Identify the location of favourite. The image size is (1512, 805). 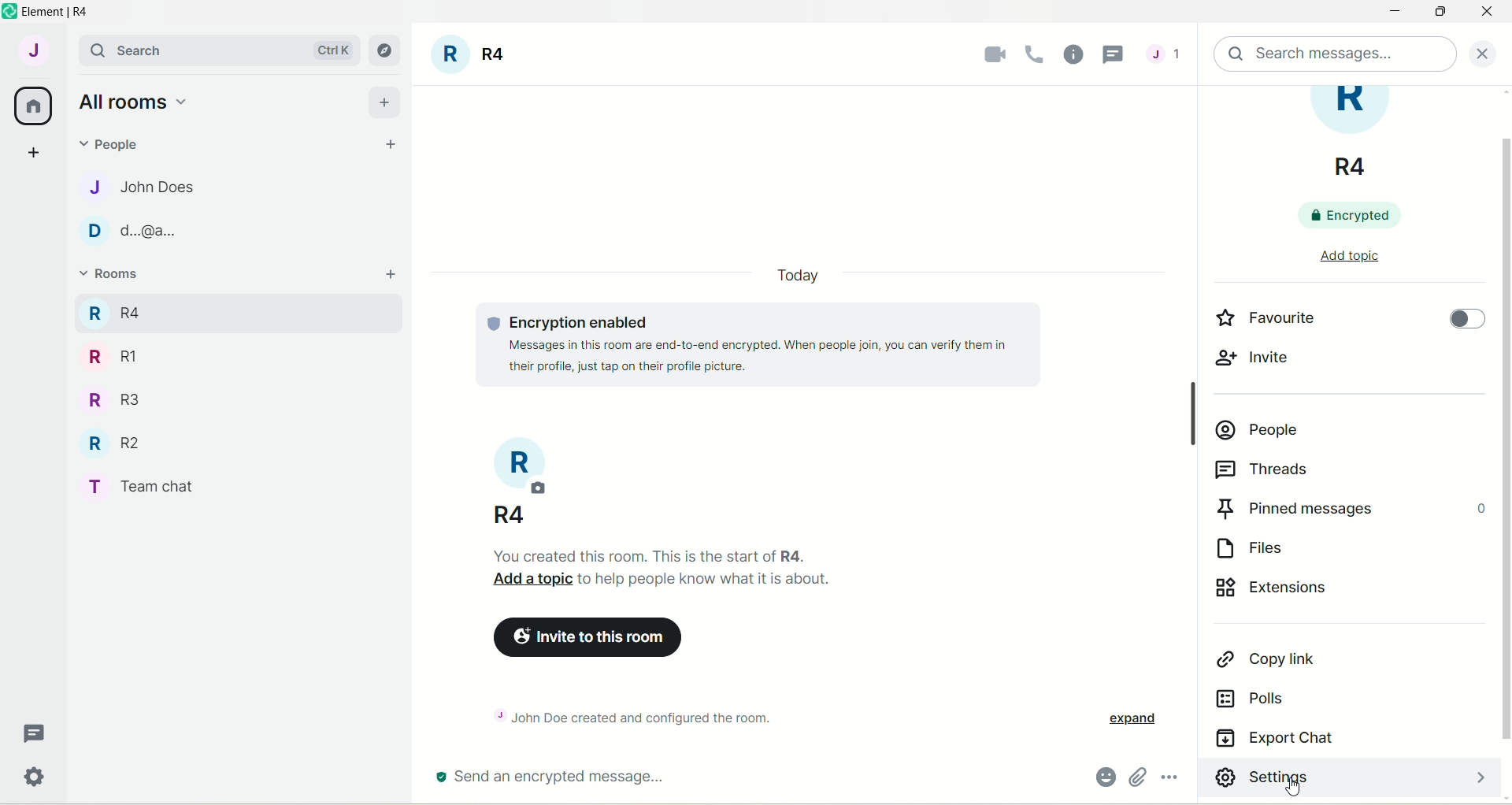
(1263, 317).